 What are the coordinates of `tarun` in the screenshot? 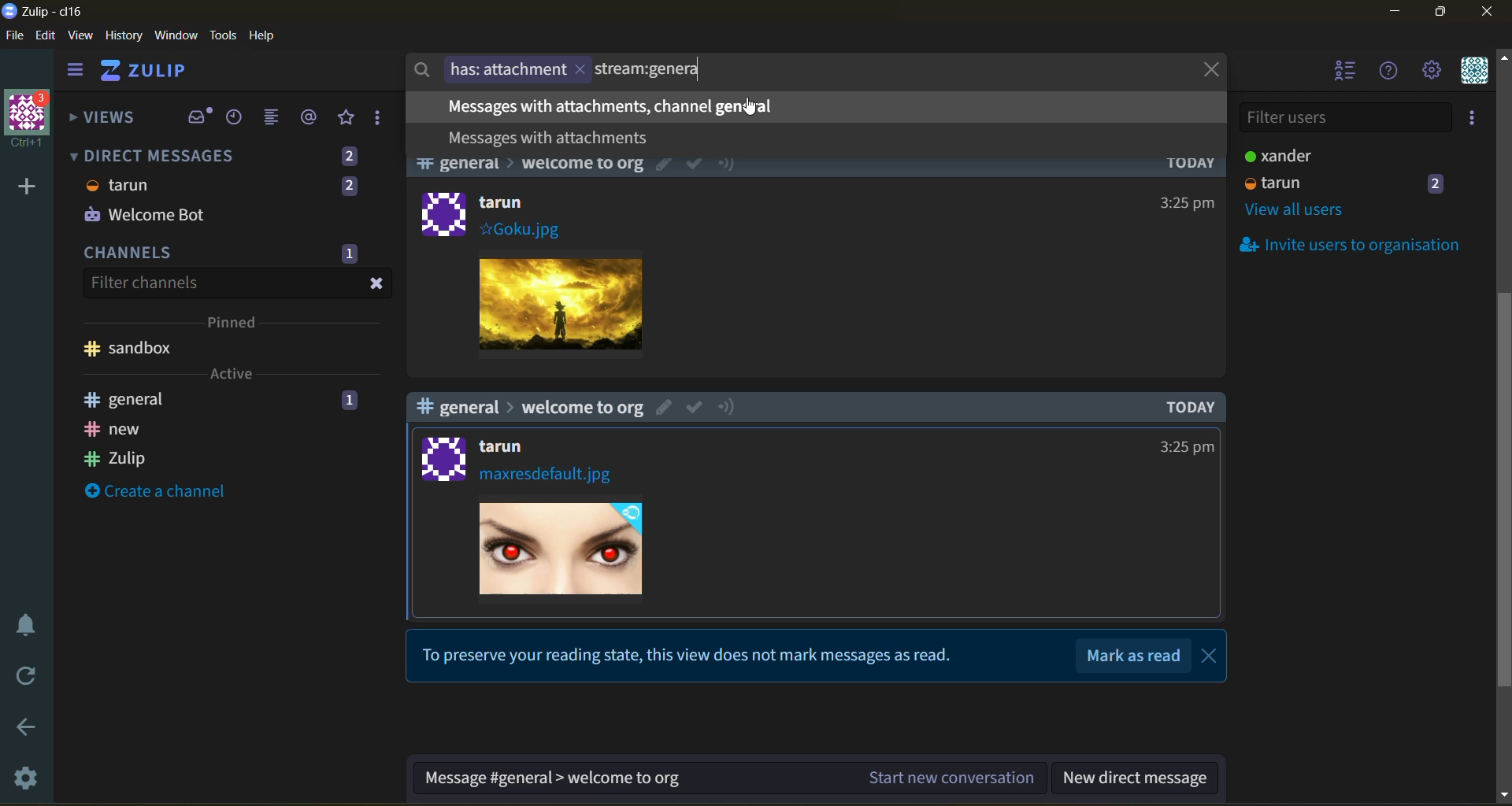 It's located at (505, 201).